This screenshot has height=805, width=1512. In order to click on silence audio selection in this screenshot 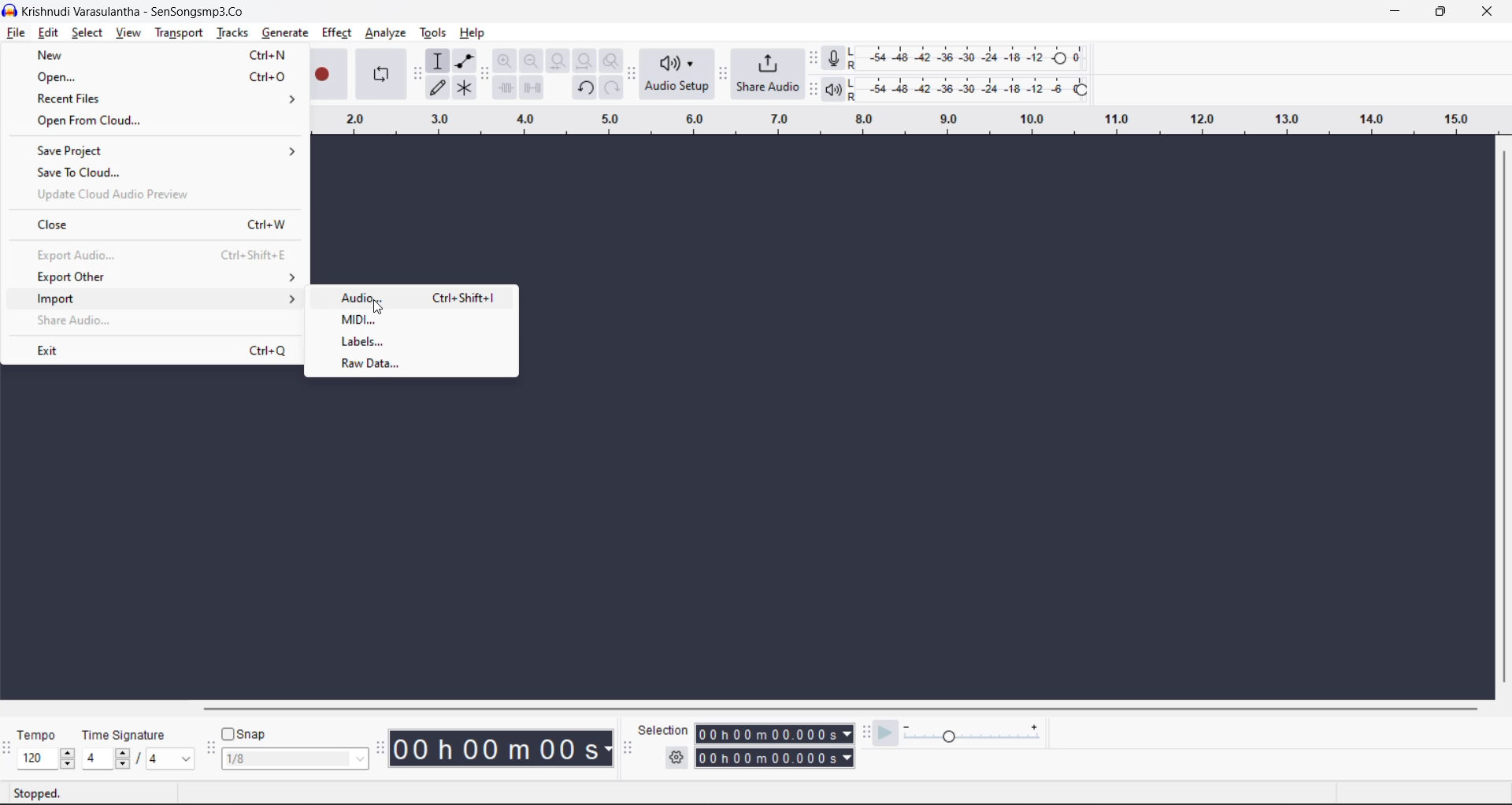, I will do `click(533, 89)`.